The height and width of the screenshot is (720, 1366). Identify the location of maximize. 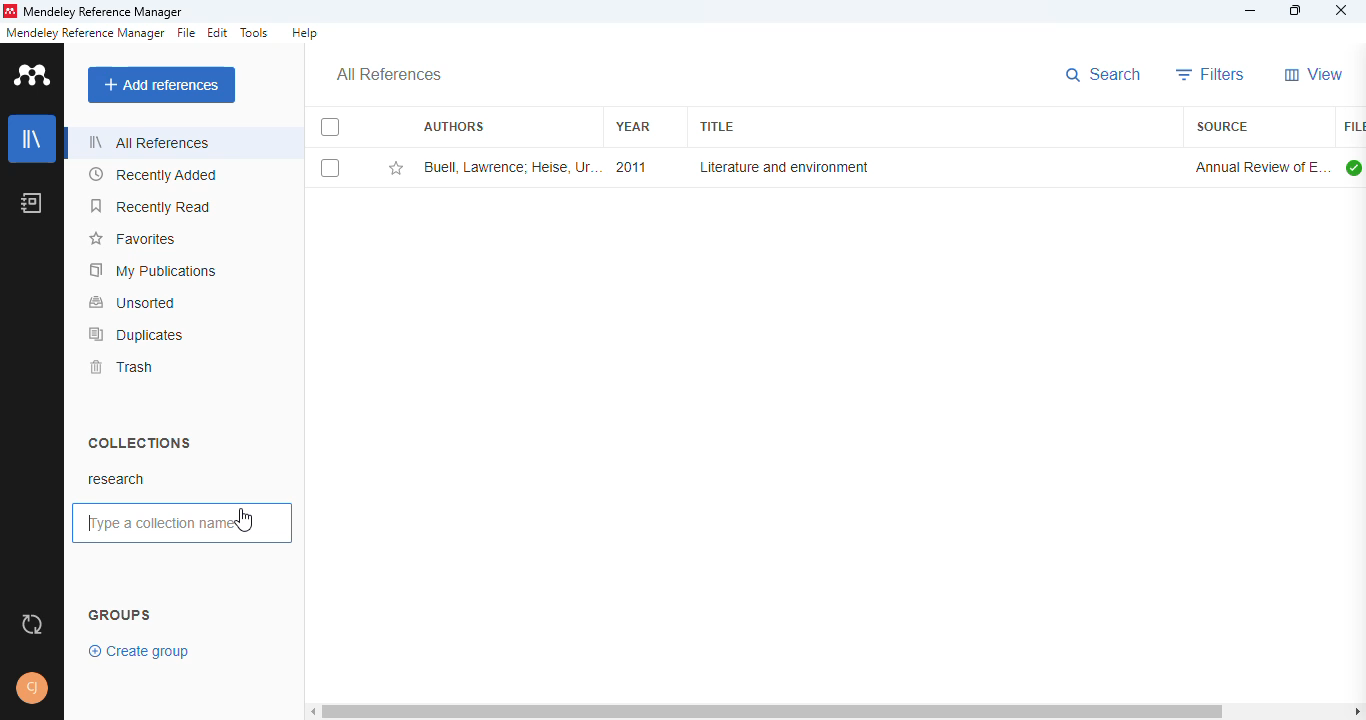
(1297, 10).